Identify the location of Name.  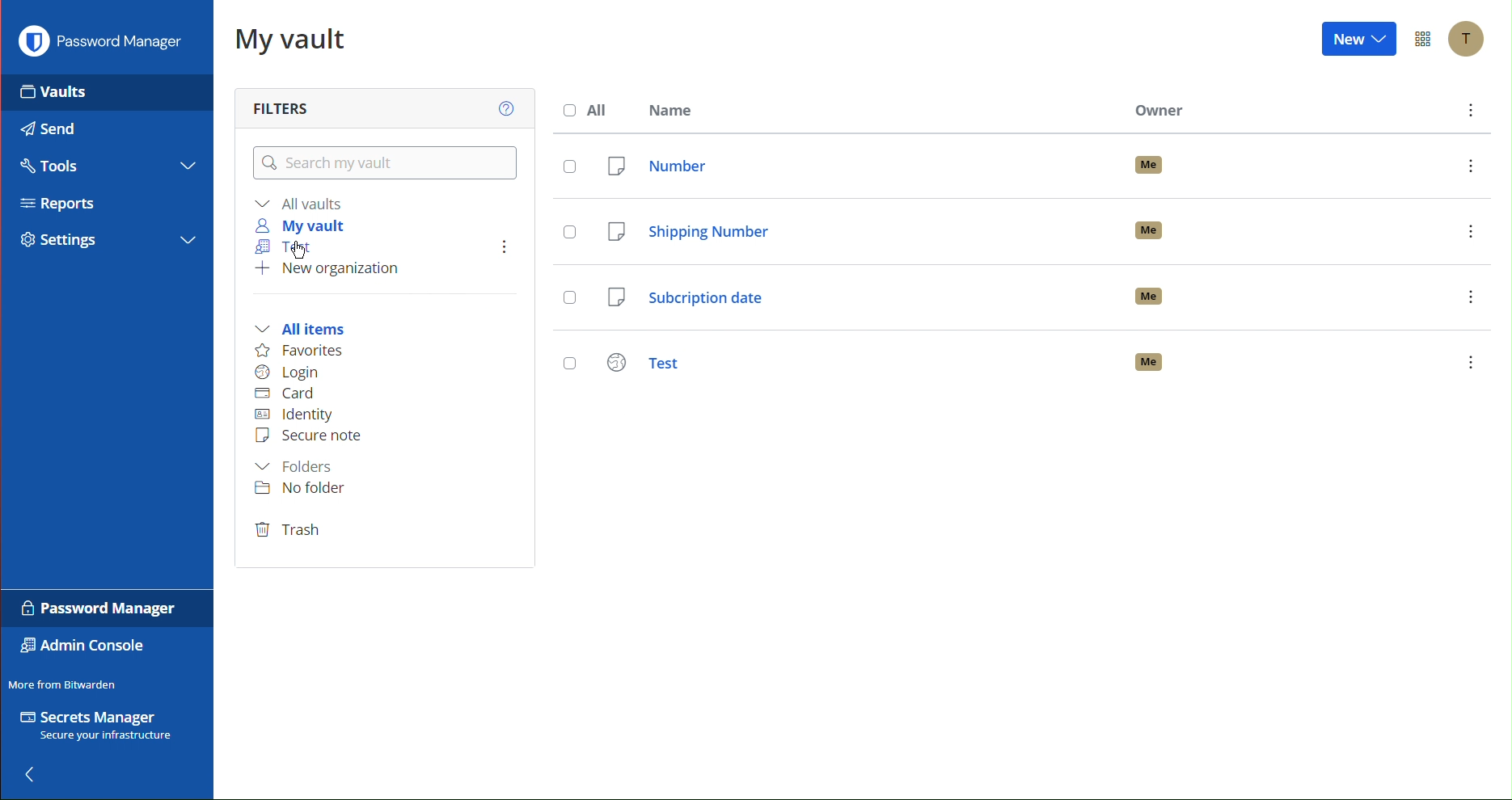
(671, 111).